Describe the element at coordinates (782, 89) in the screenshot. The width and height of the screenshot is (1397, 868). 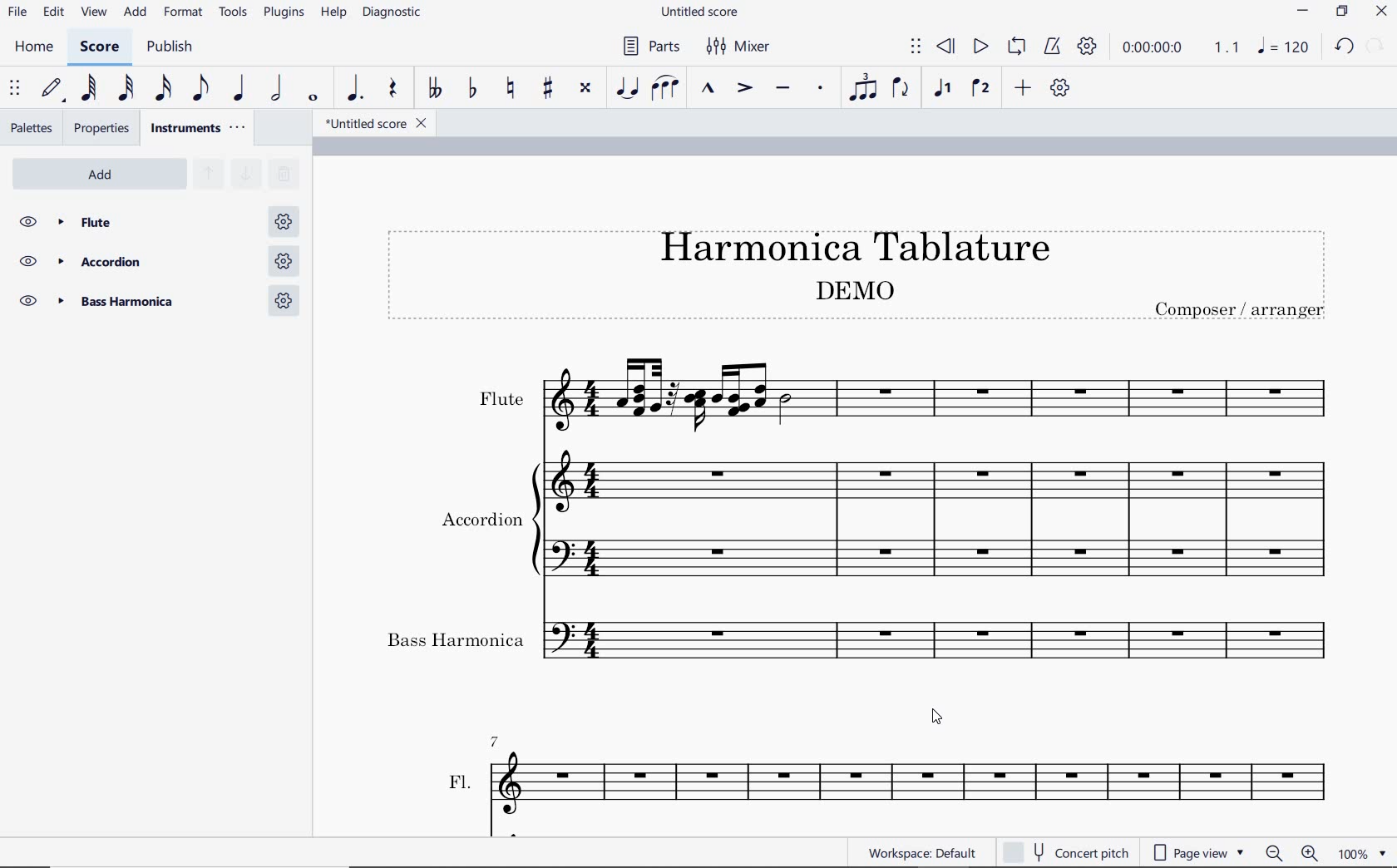
I see `tenuto` at that location.